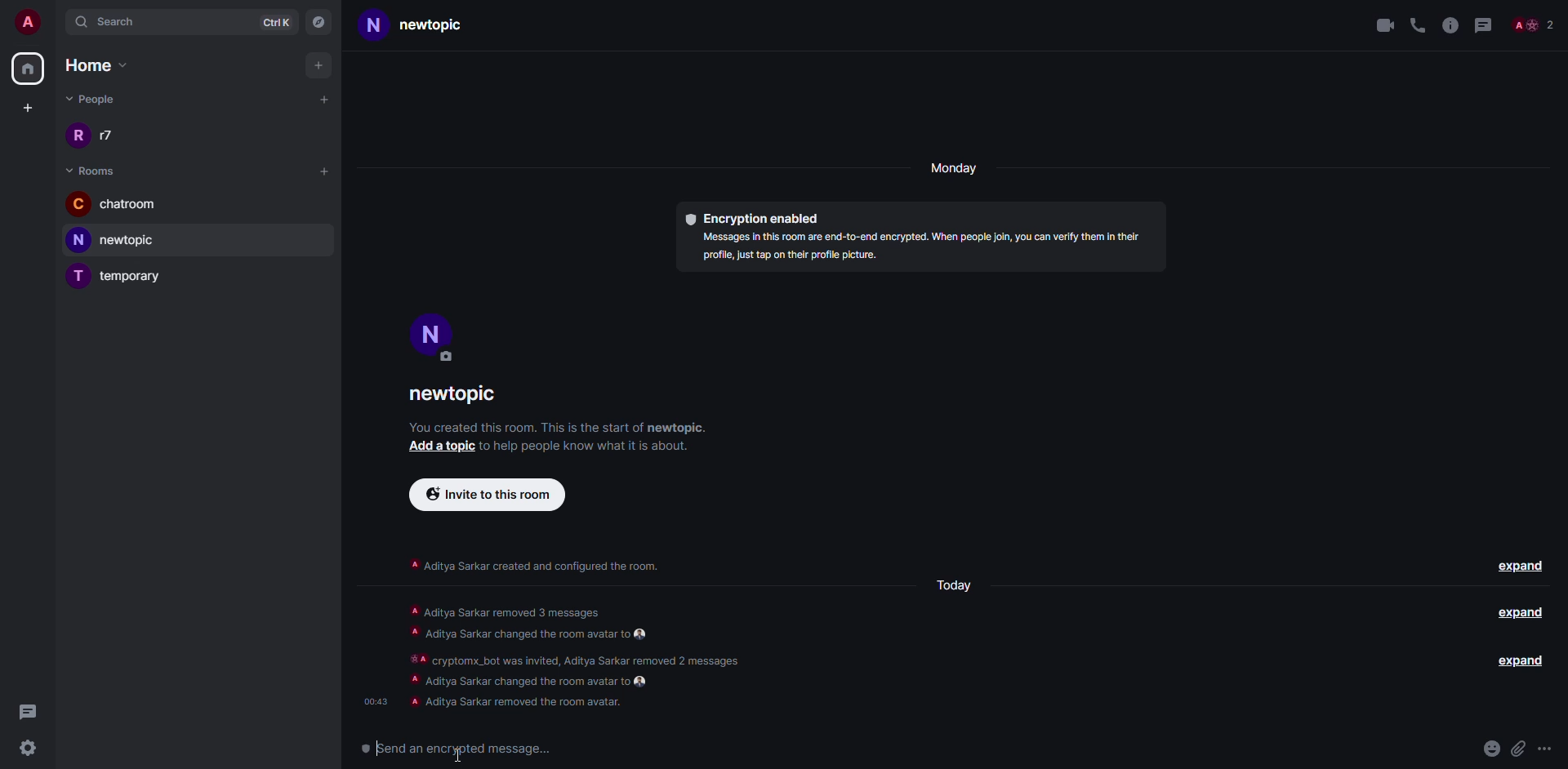 The height and width of the screenshot is (769, 1568). I want to click on room, so click(95, 171).